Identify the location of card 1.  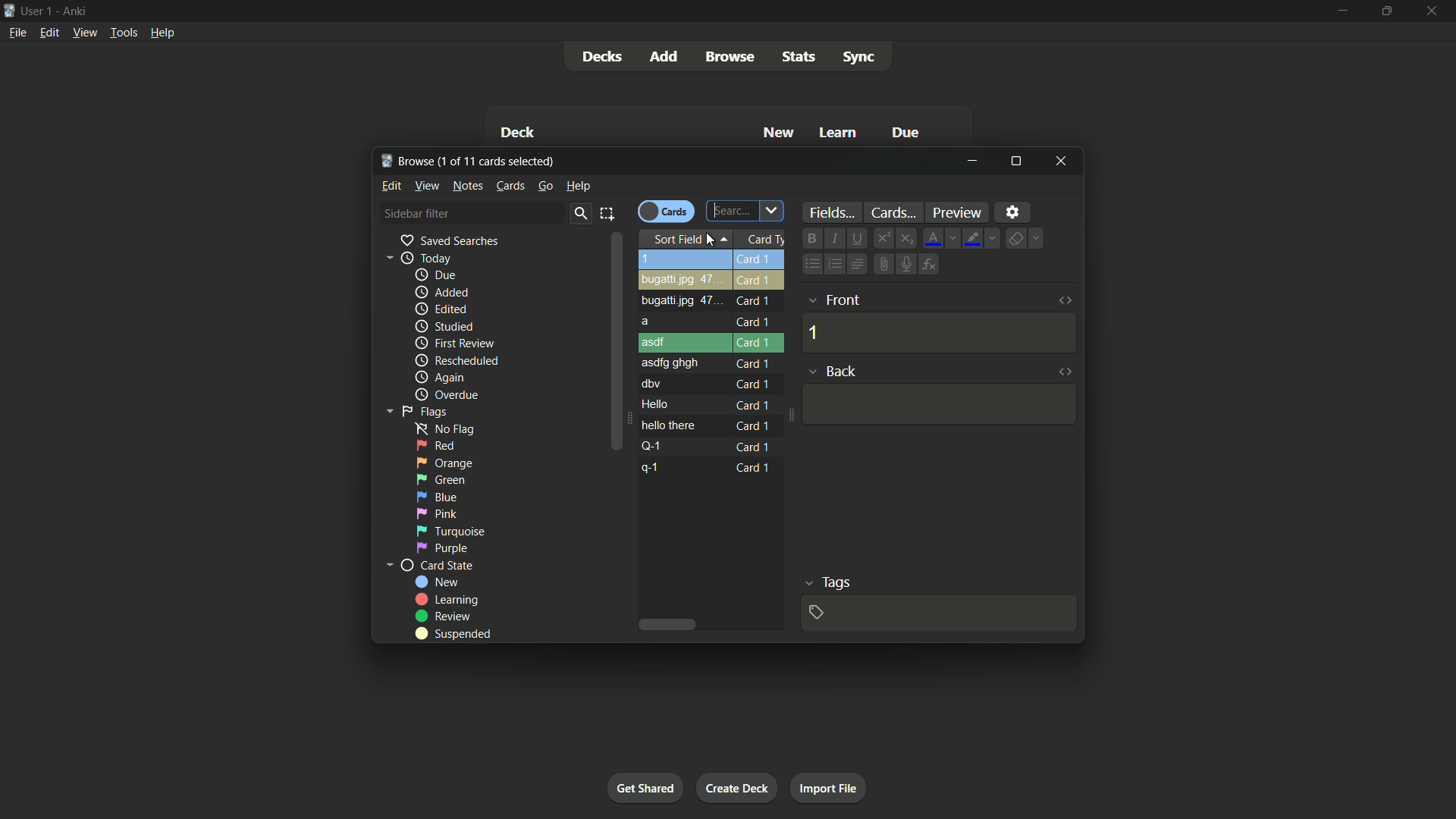
(755, 341).